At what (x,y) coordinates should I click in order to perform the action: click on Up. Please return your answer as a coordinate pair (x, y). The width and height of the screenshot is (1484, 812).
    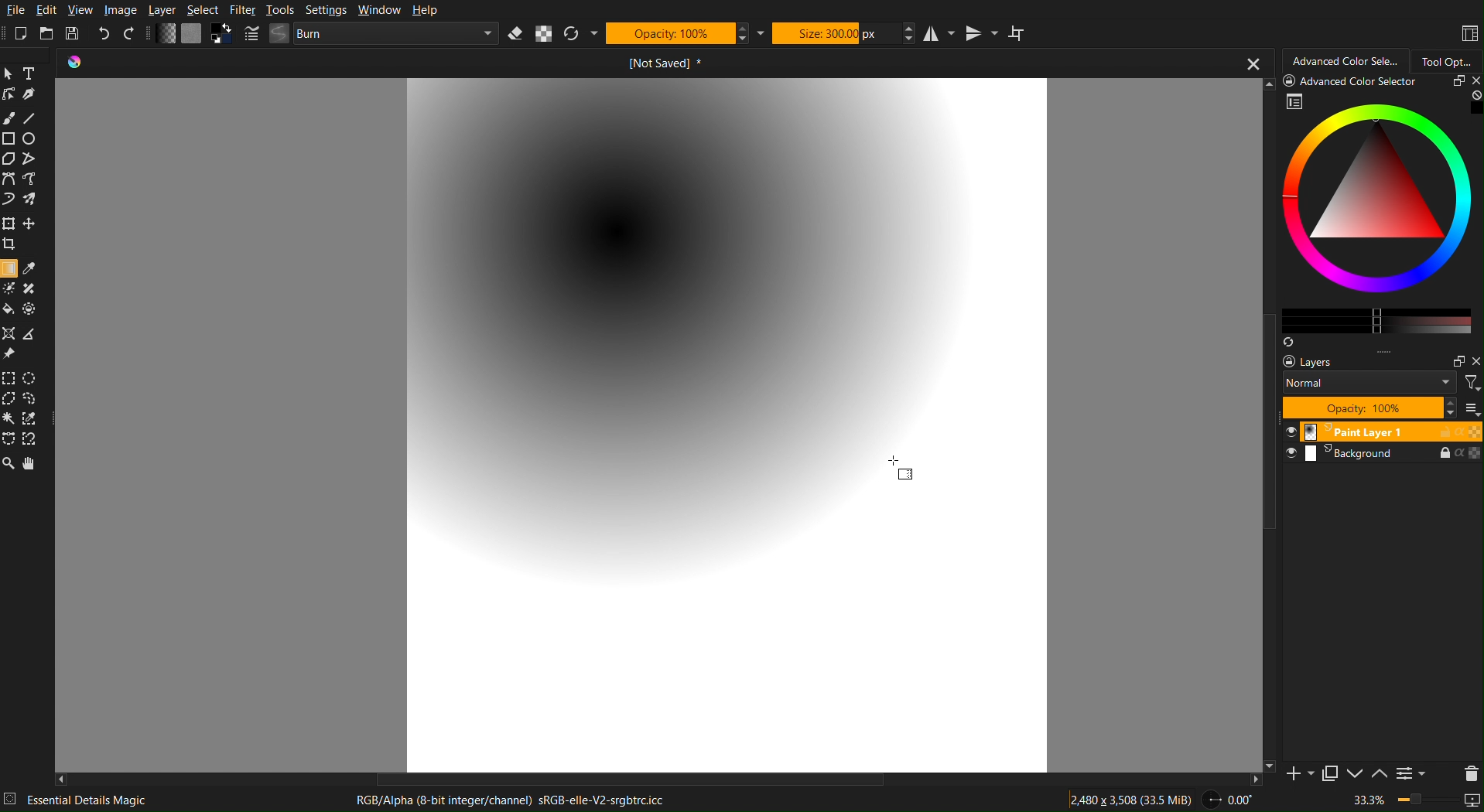
    Looking at the image, I should click on (1378, 775).